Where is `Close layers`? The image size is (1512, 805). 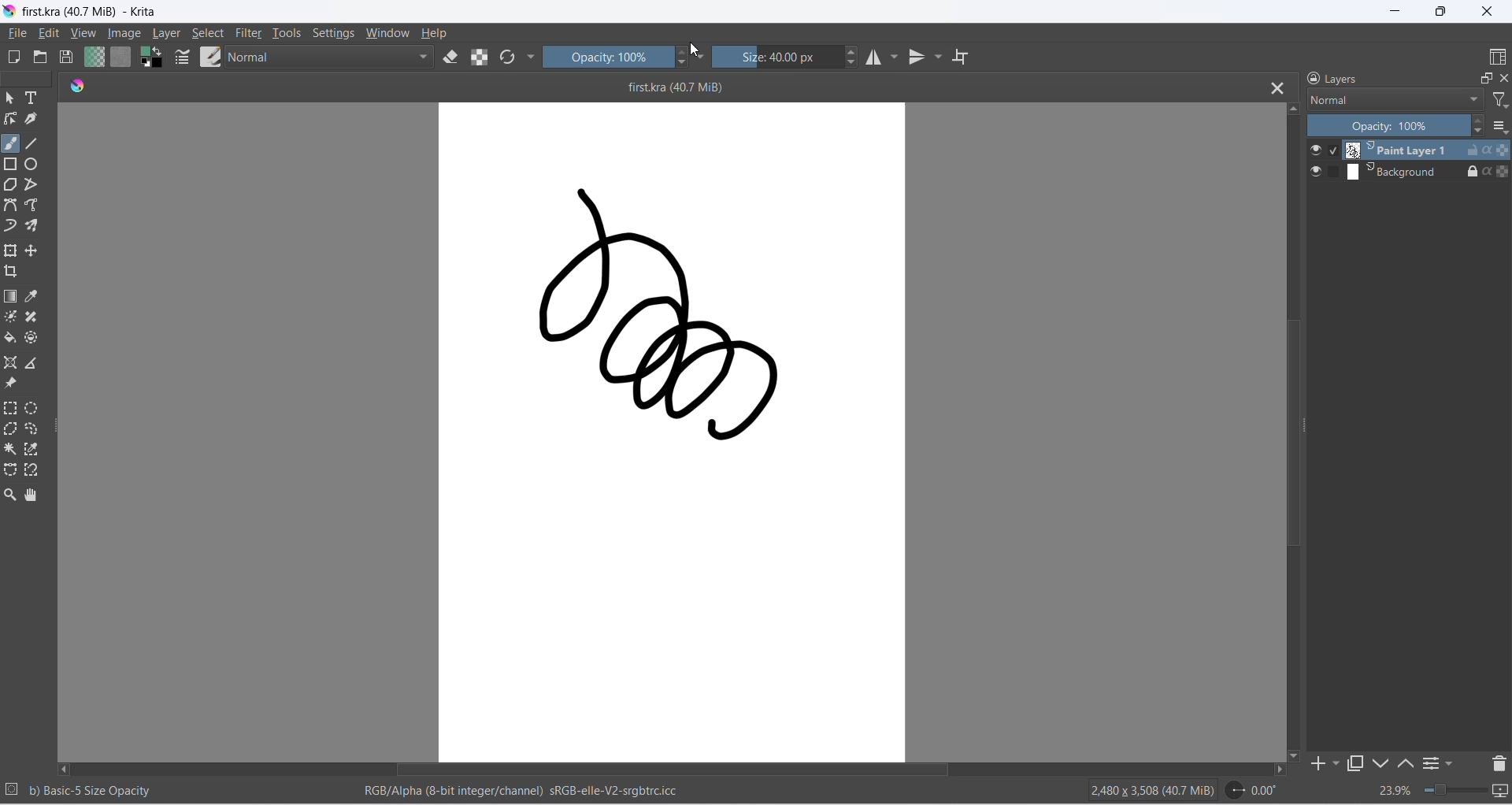 Close layers is located at coordinates (1504, 78).